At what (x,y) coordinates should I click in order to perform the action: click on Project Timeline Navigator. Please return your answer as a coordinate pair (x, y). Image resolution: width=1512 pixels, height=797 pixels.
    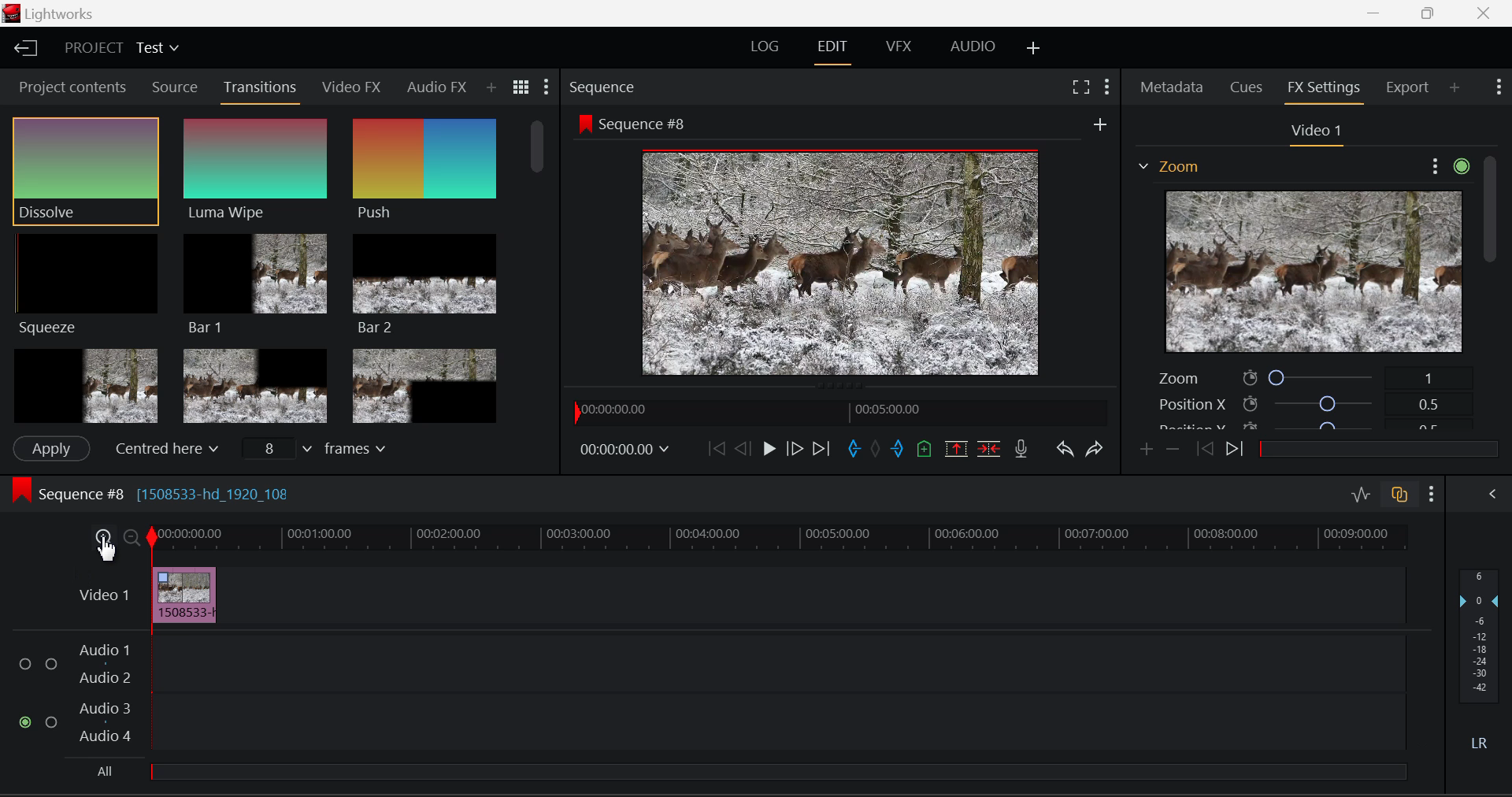
    Looking at the image, I should click on (837, 408).